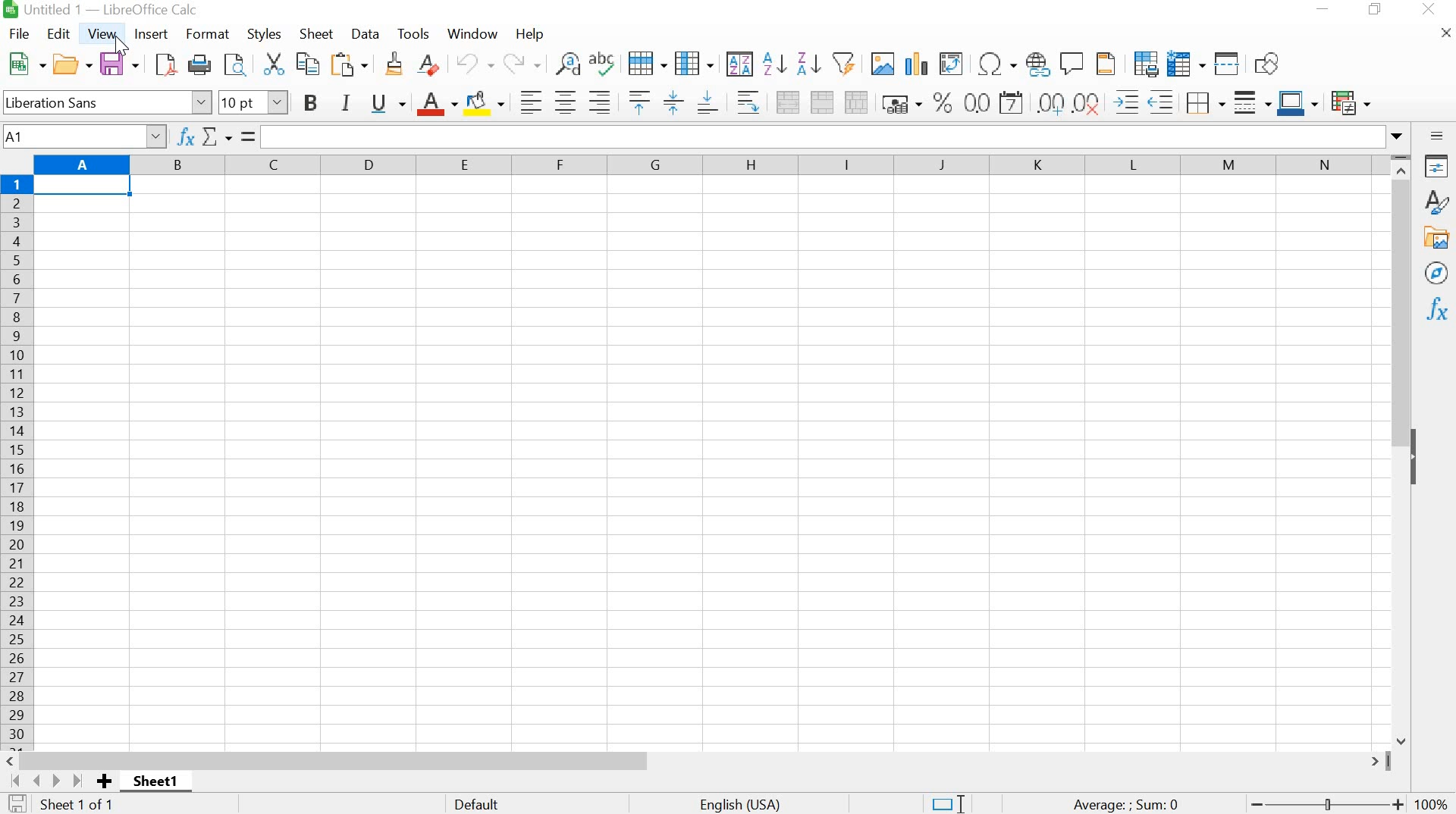 This screenshot has width=1456, height=814. What do you see at coordinates (236, 66) in the screenshot?
I see `FIND` at bounding box center [236, 66].